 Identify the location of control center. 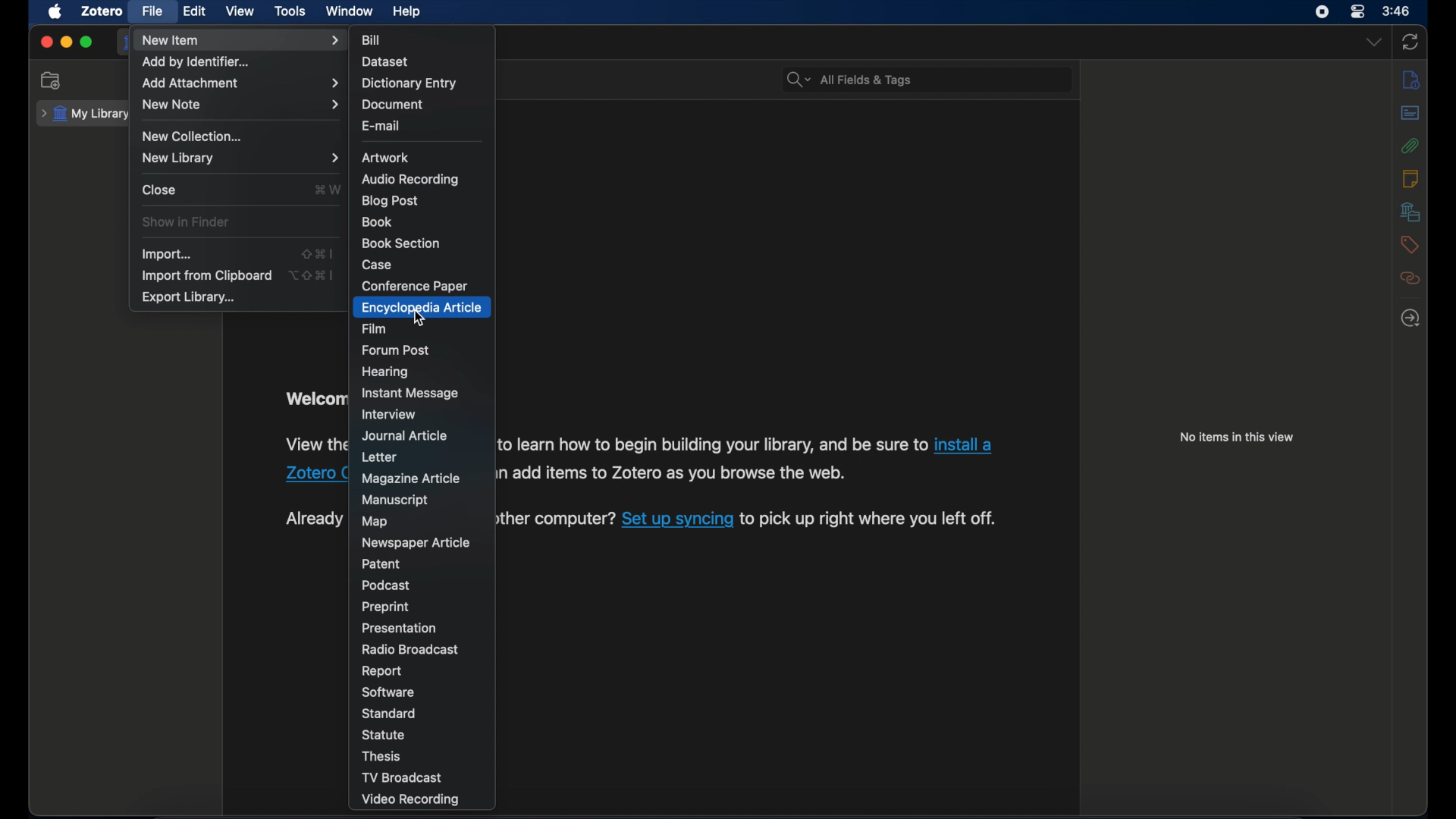
(1357, 12).